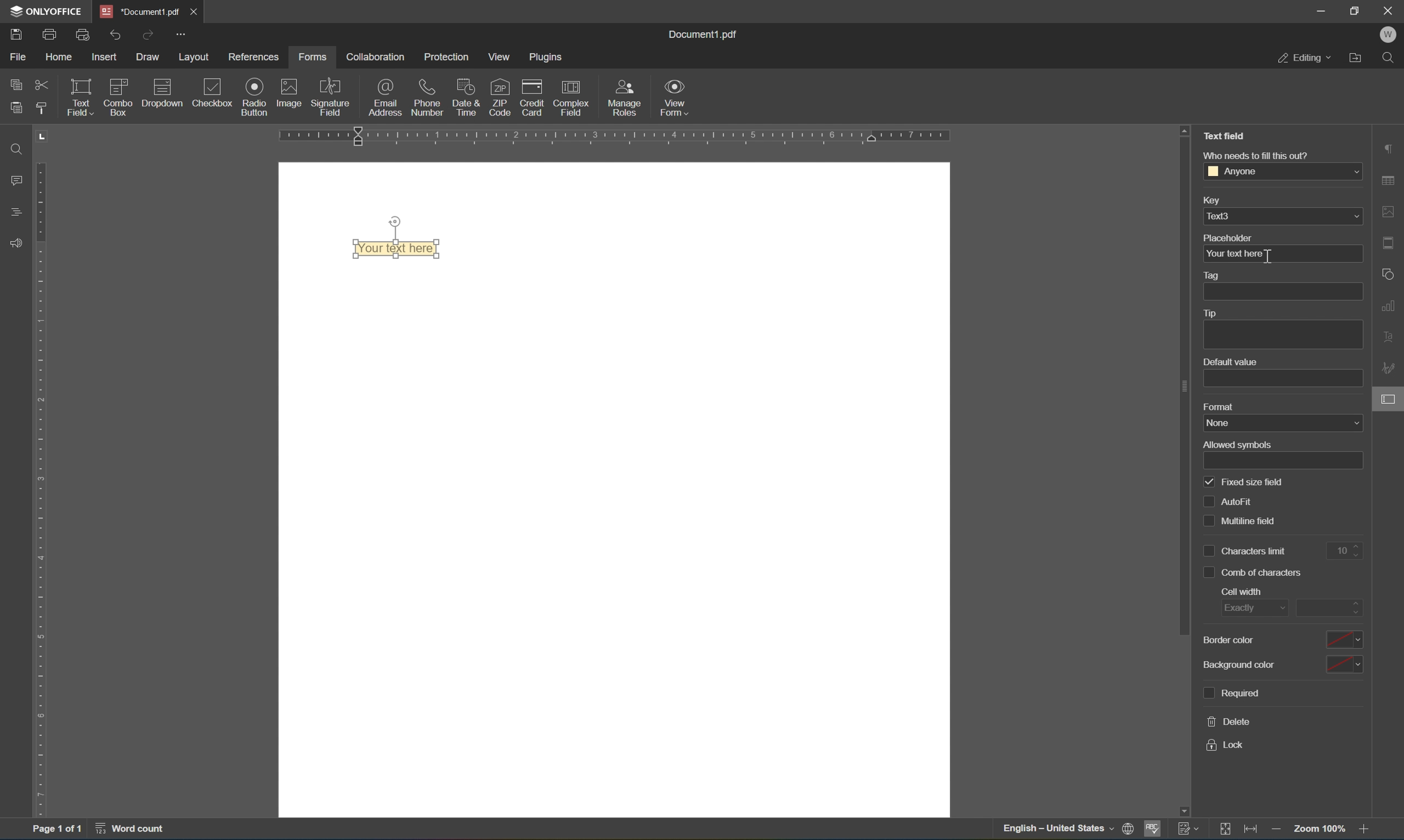 The image size is (1404, 840). I want to click on tip, so click(1217, 313).